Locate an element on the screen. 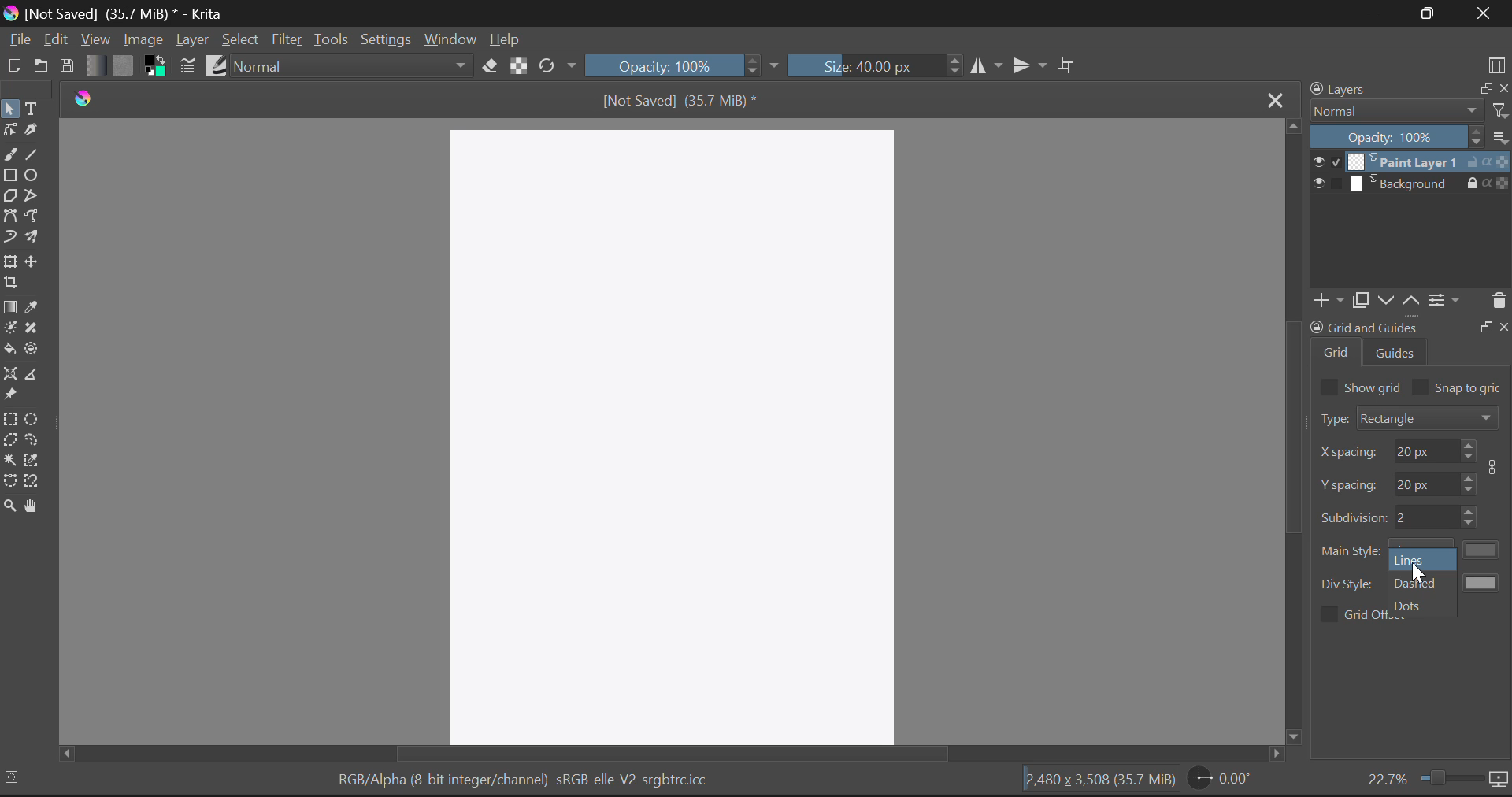 The width and height of the screenshot is (1512, 797). spacing y is located at coordinates (1350, 484).